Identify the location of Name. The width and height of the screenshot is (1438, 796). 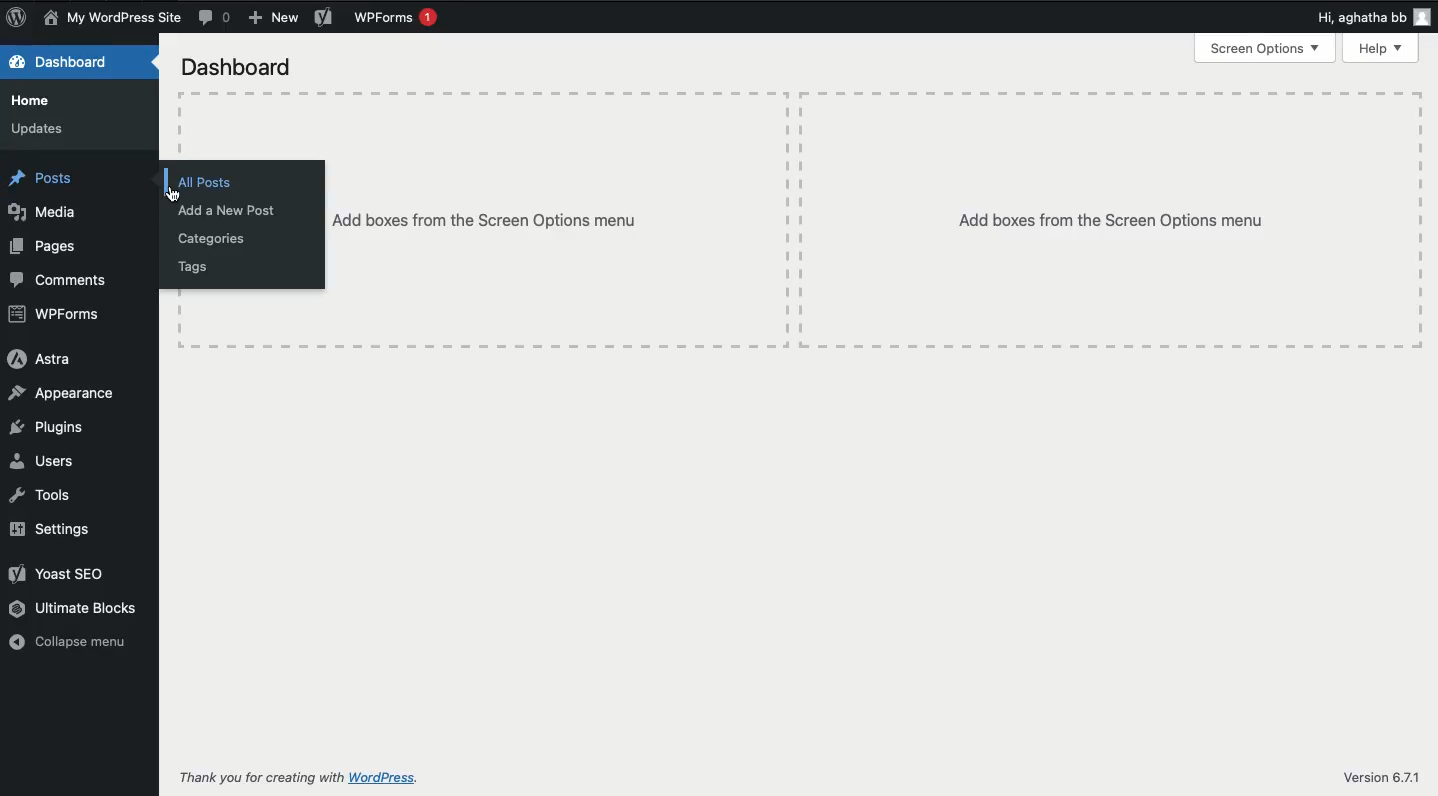
(115, 19).